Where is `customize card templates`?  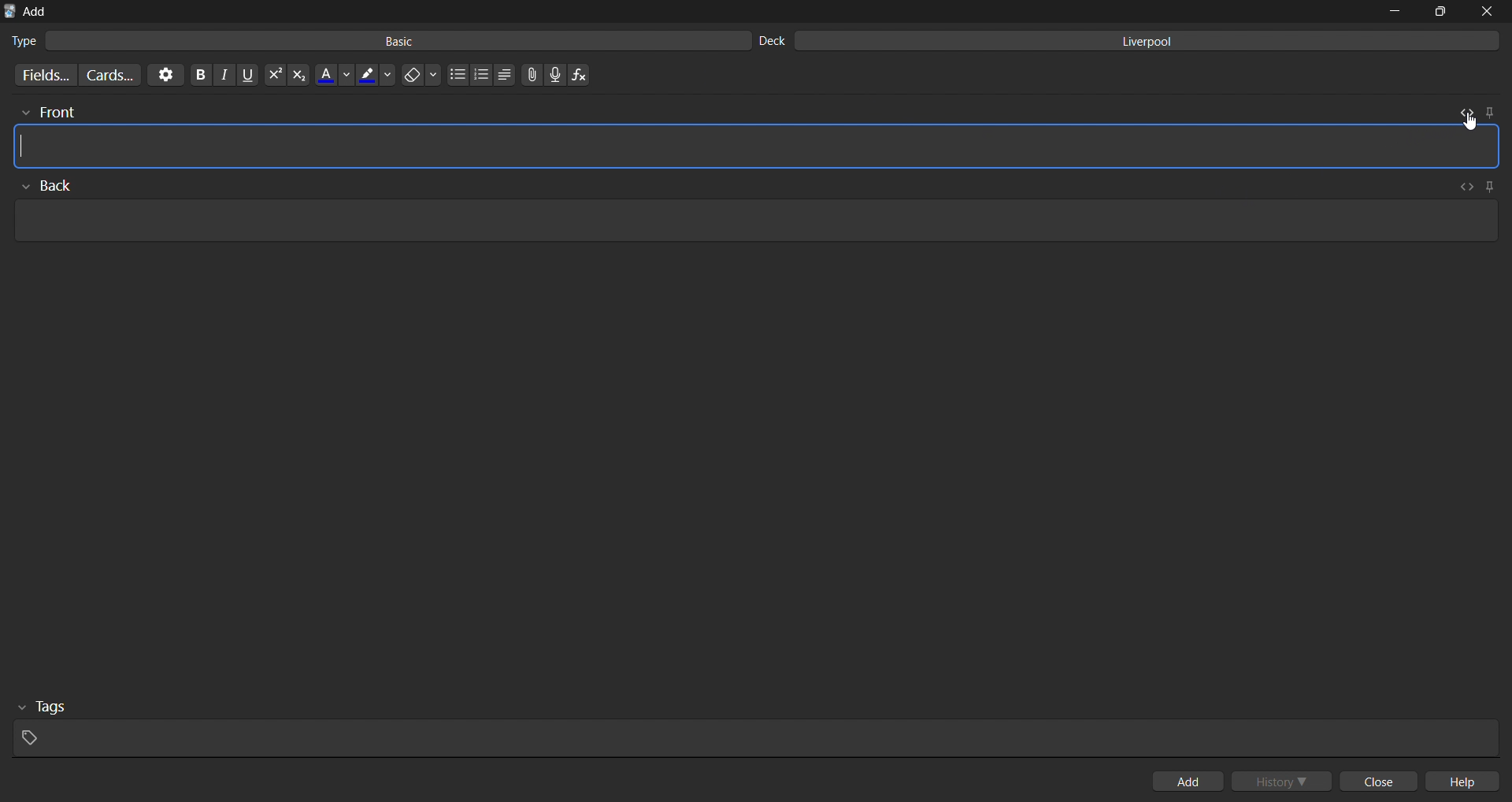 customize card templates is located at coordinates (109, 74).